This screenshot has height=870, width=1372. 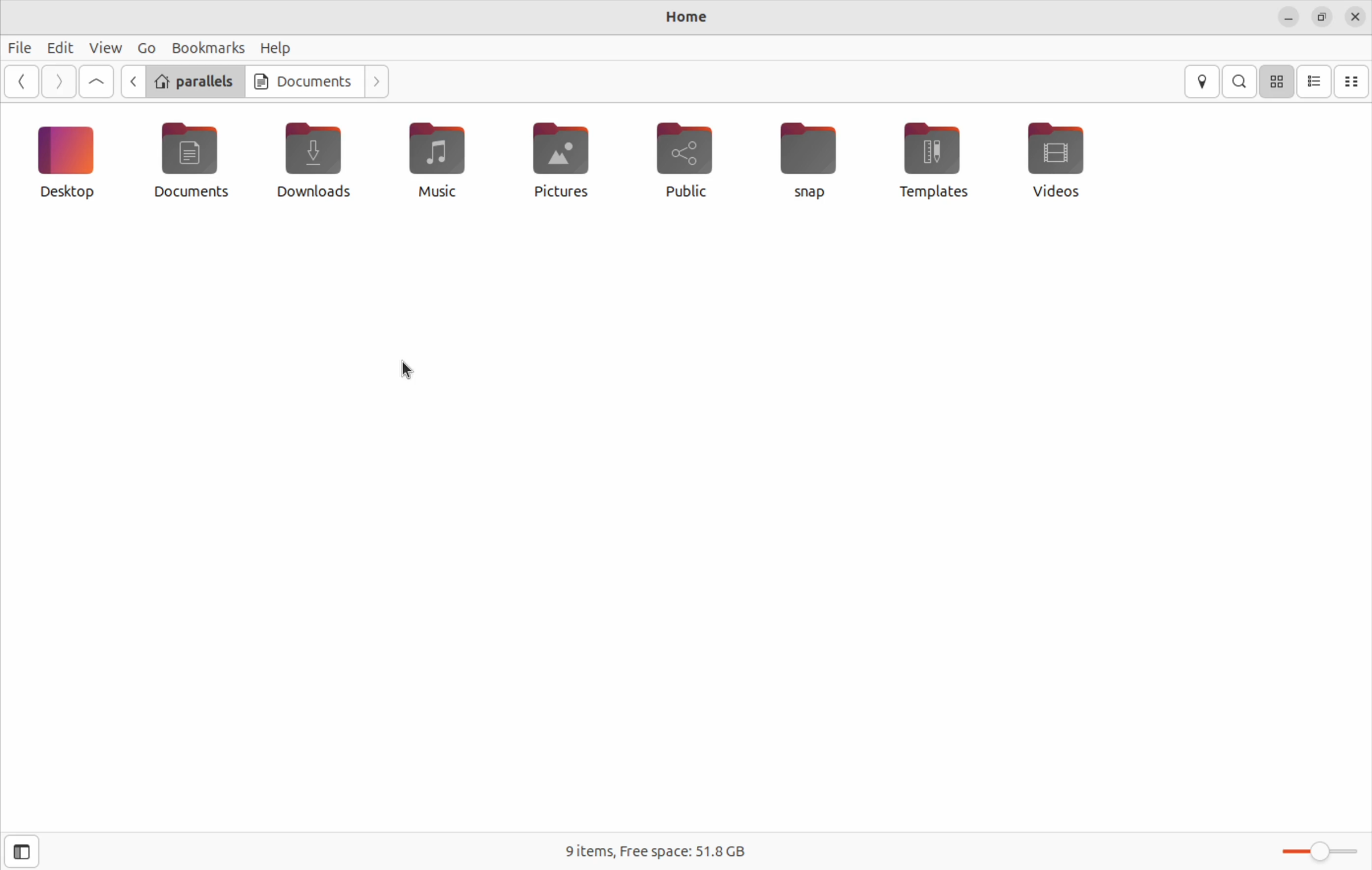 I want to click on minimize, so click(x=1287, y=18).